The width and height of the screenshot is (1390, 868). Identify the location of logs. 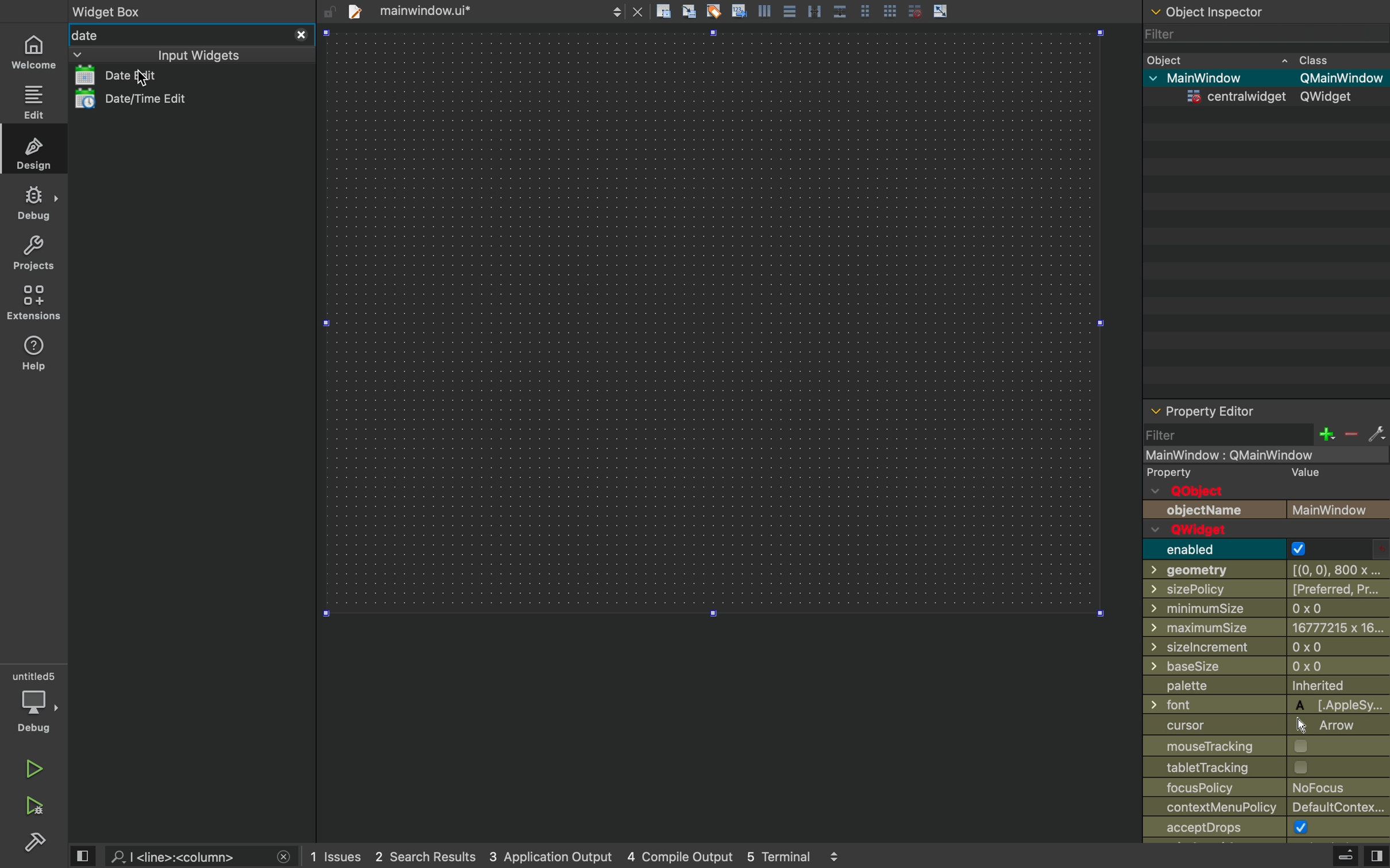
(575, 855).